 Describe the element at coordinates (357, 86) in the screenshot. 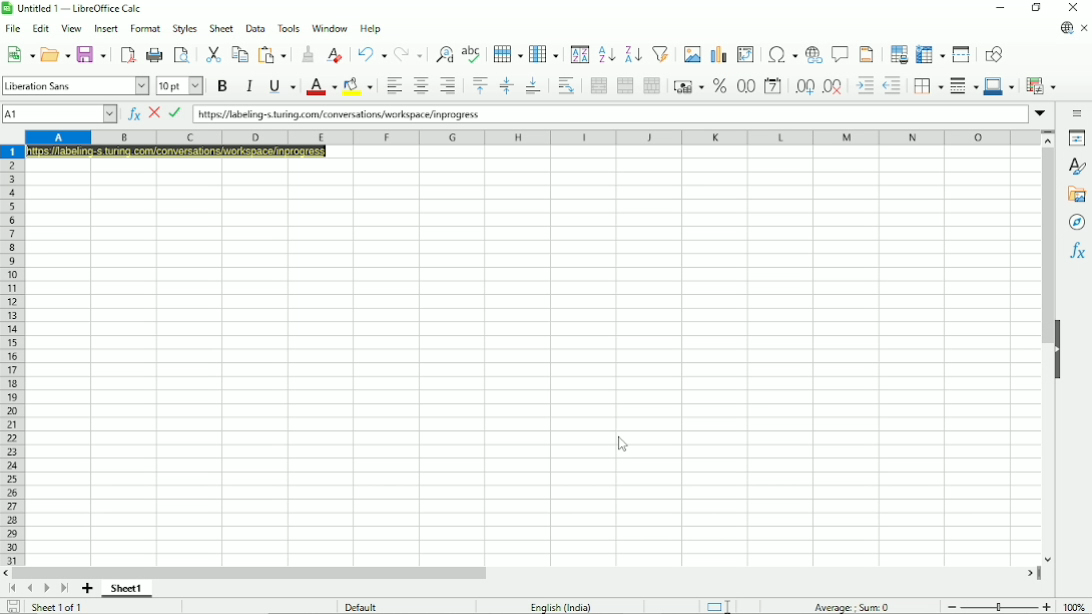

I see `Background color` at that location.